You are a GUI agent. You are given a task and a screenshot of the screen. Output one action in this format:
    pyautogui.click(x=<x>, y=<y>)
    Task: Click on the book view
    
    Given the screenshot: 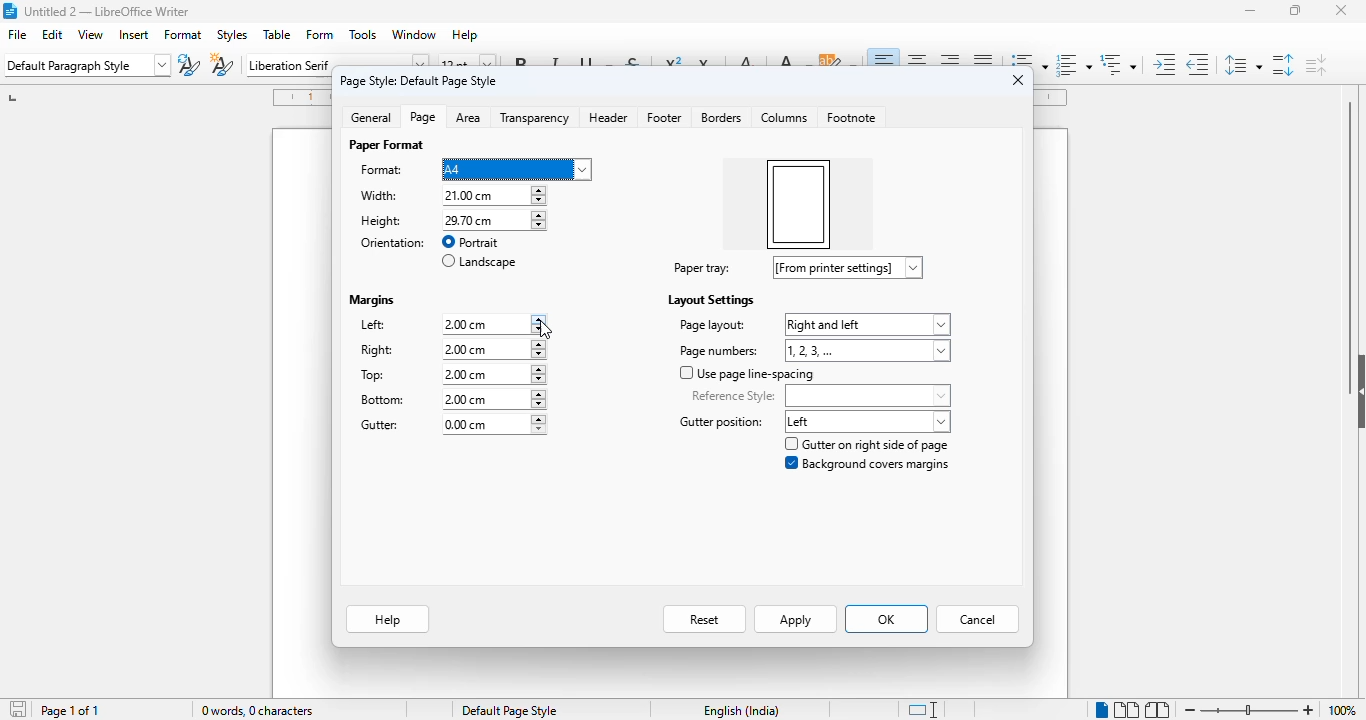 What is the action you would take?
    pyautogui.click(x=1159, y=709)
    